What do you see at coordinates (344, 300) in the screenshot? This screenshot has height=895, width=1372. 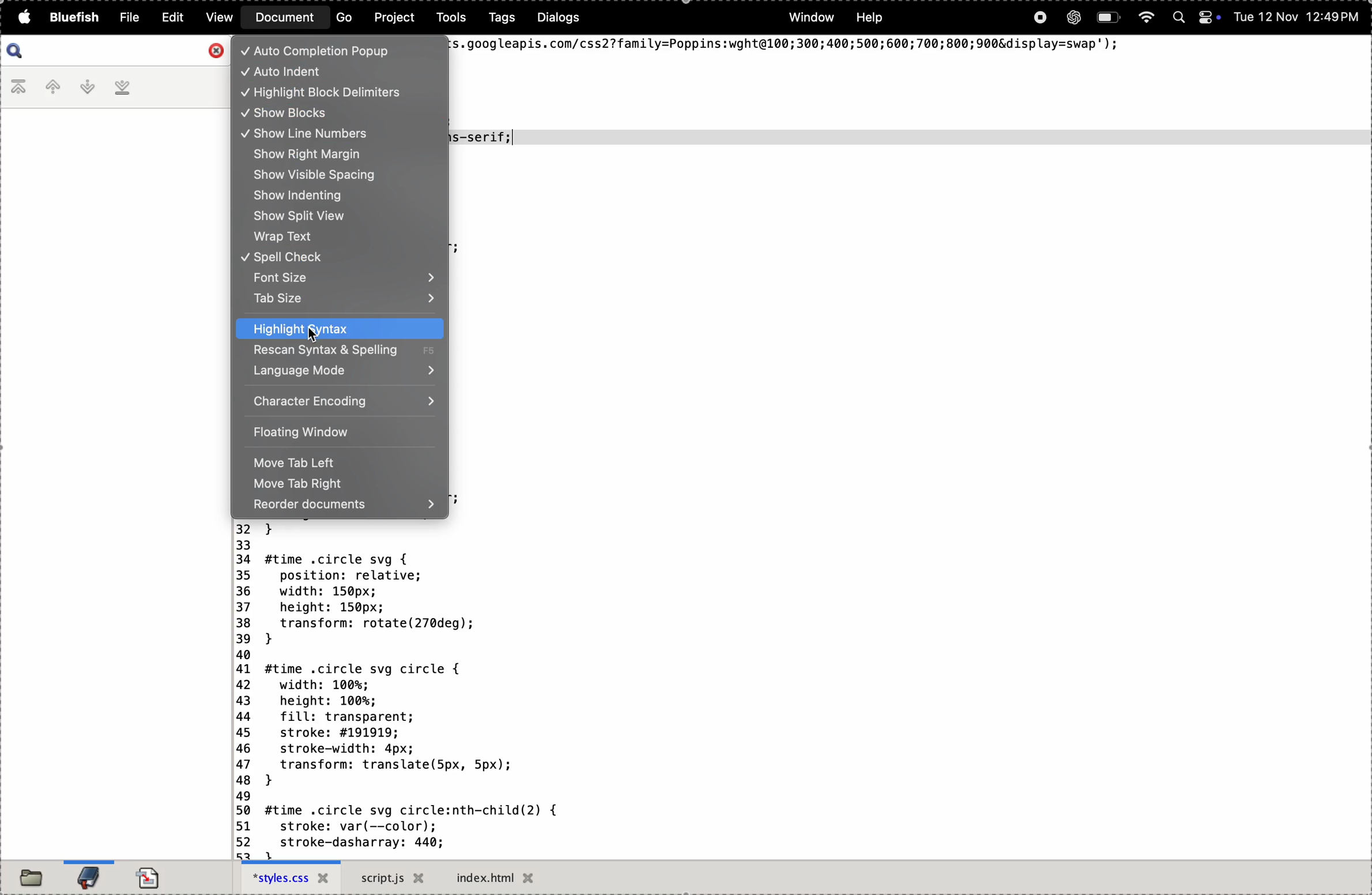 I see `tab size` at bounding box center [344, 300].